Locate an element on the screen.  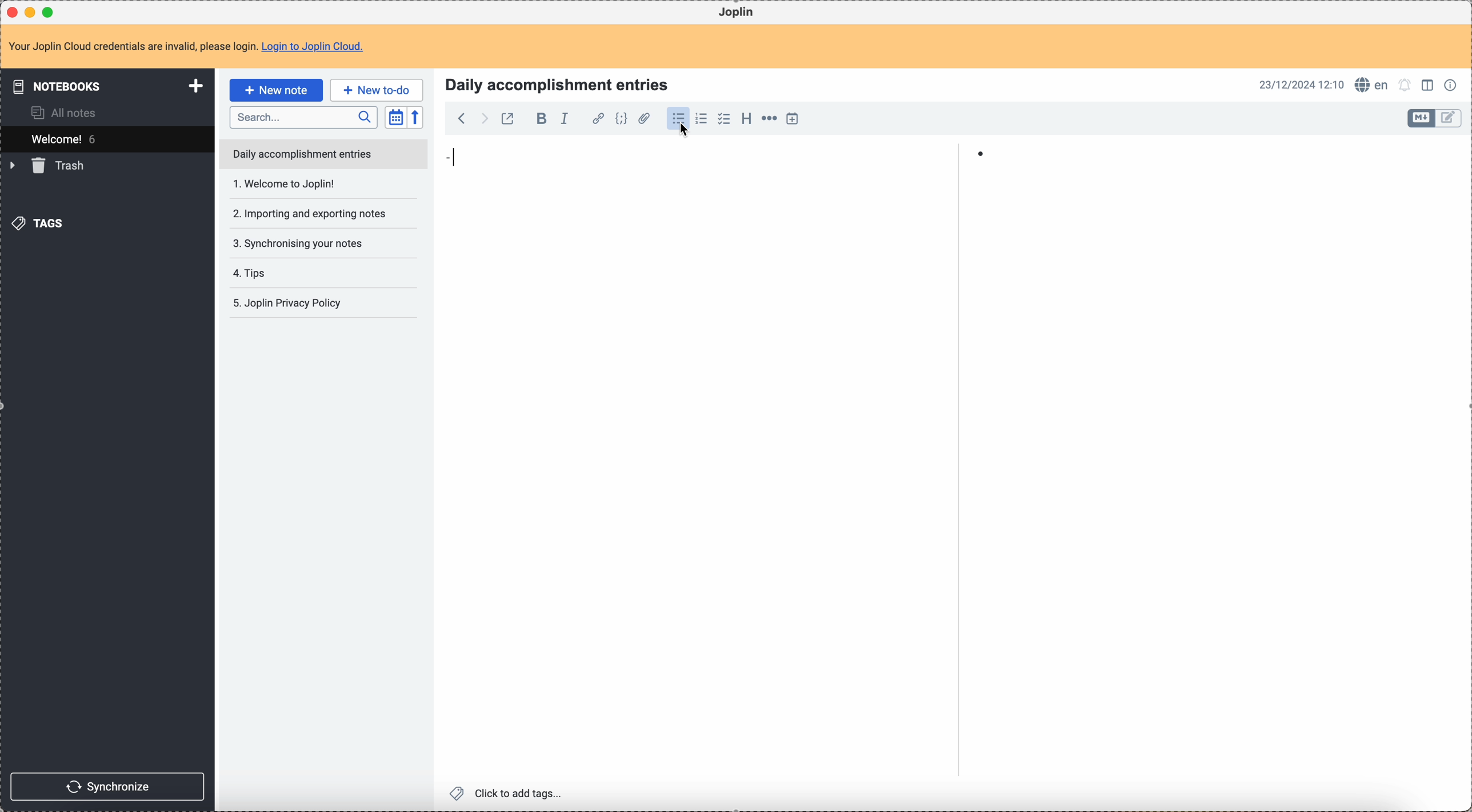
all notes is located at coordinates (59, 113).